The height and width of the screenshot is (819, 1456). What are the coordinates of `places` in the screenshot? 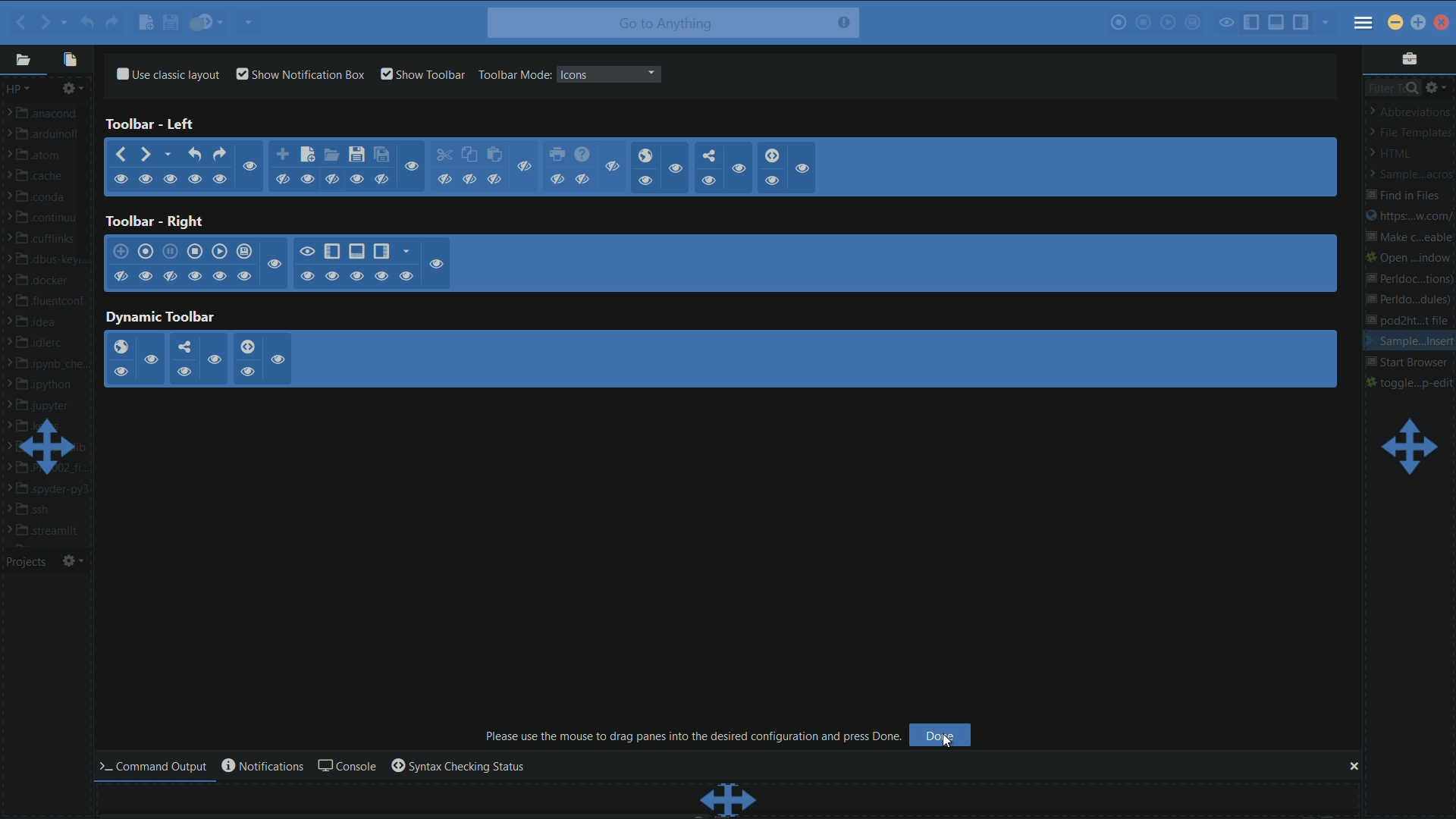 It's located at (22, 61).